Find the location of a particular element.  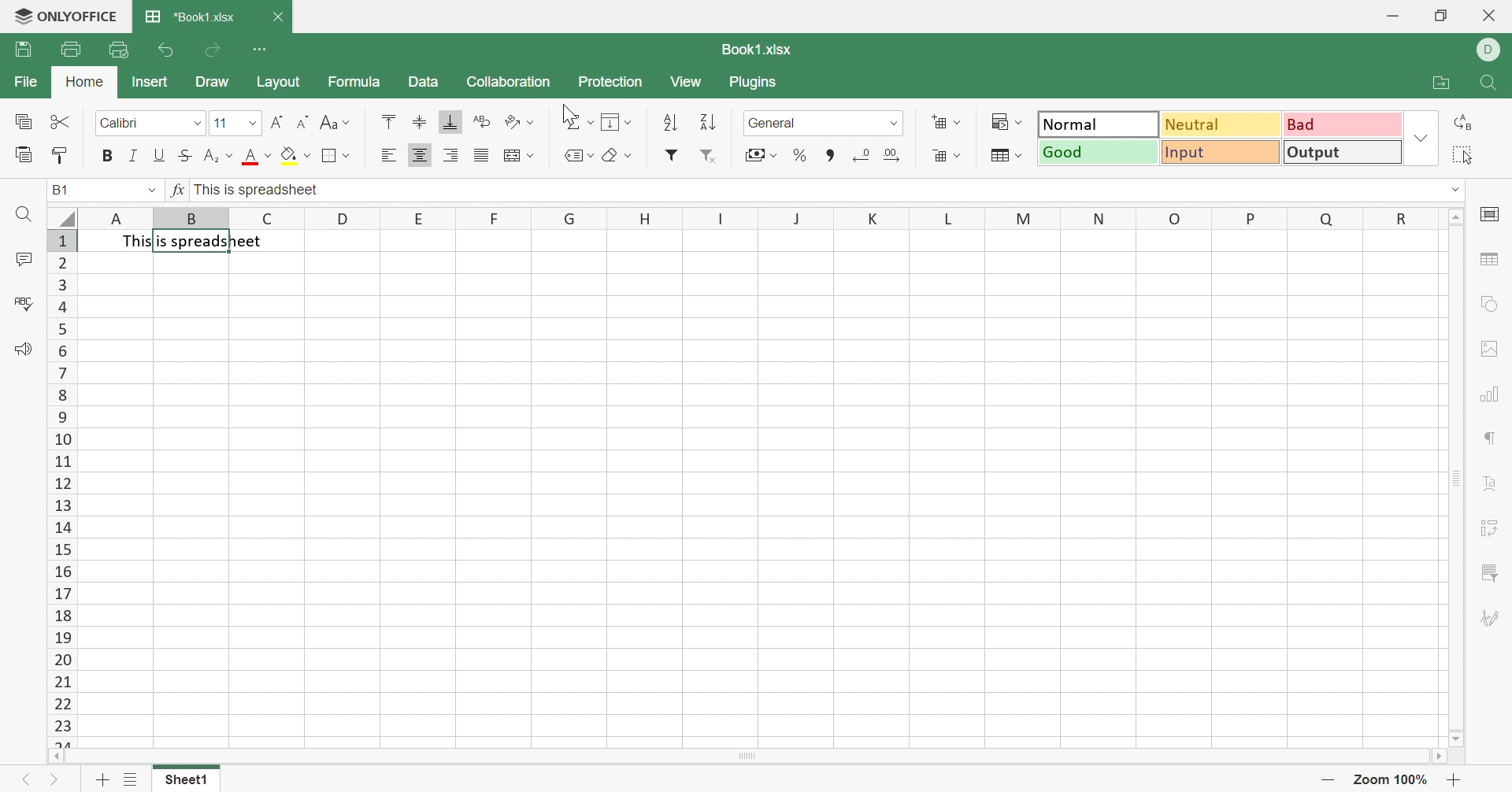

Font color is located at coordinates (249, 156).